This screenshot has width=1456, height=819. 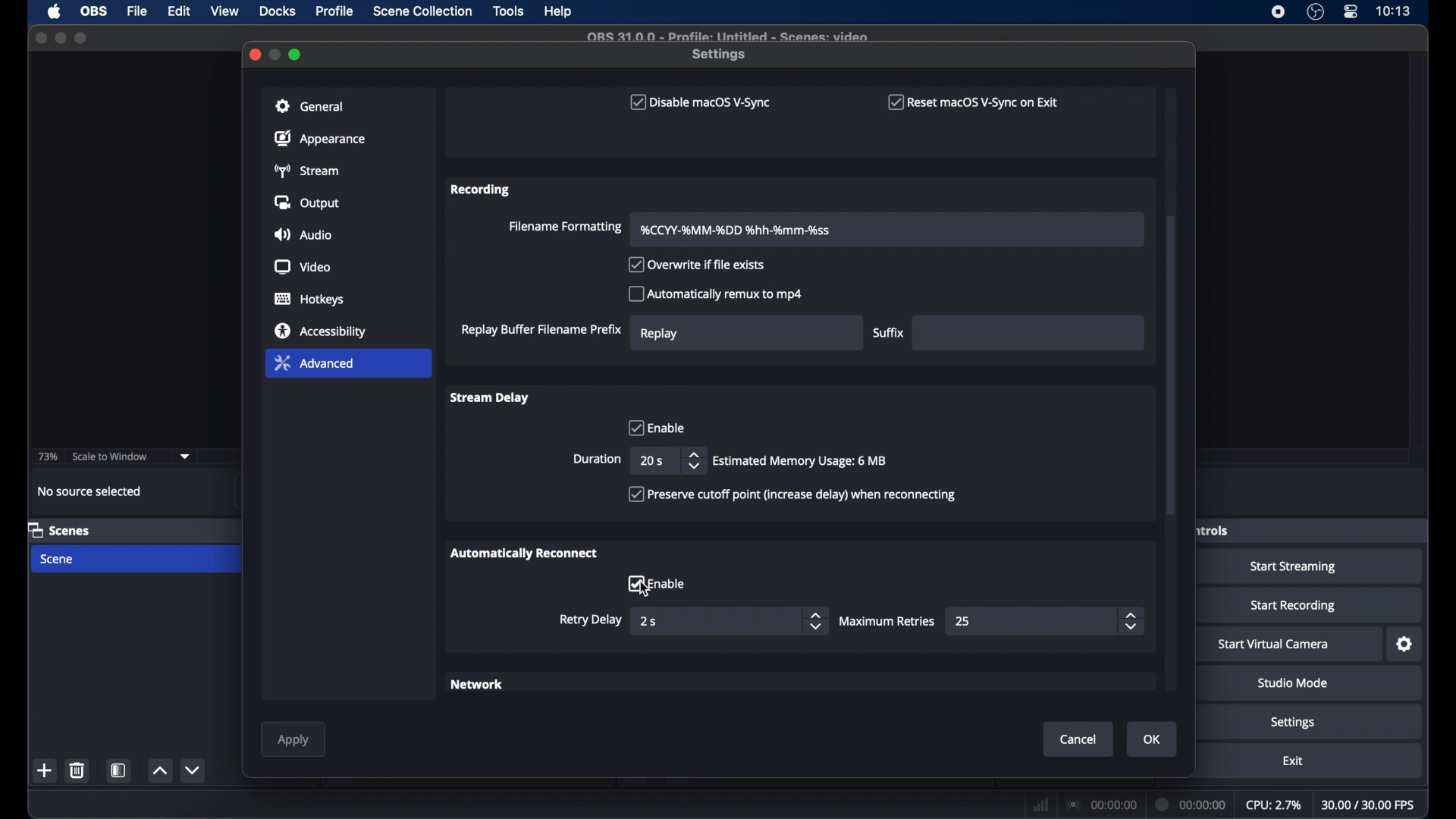 What do you see at coordinates (1294, 723) in the screenshot?
I see `settings` at bounding box center [1294, 723].